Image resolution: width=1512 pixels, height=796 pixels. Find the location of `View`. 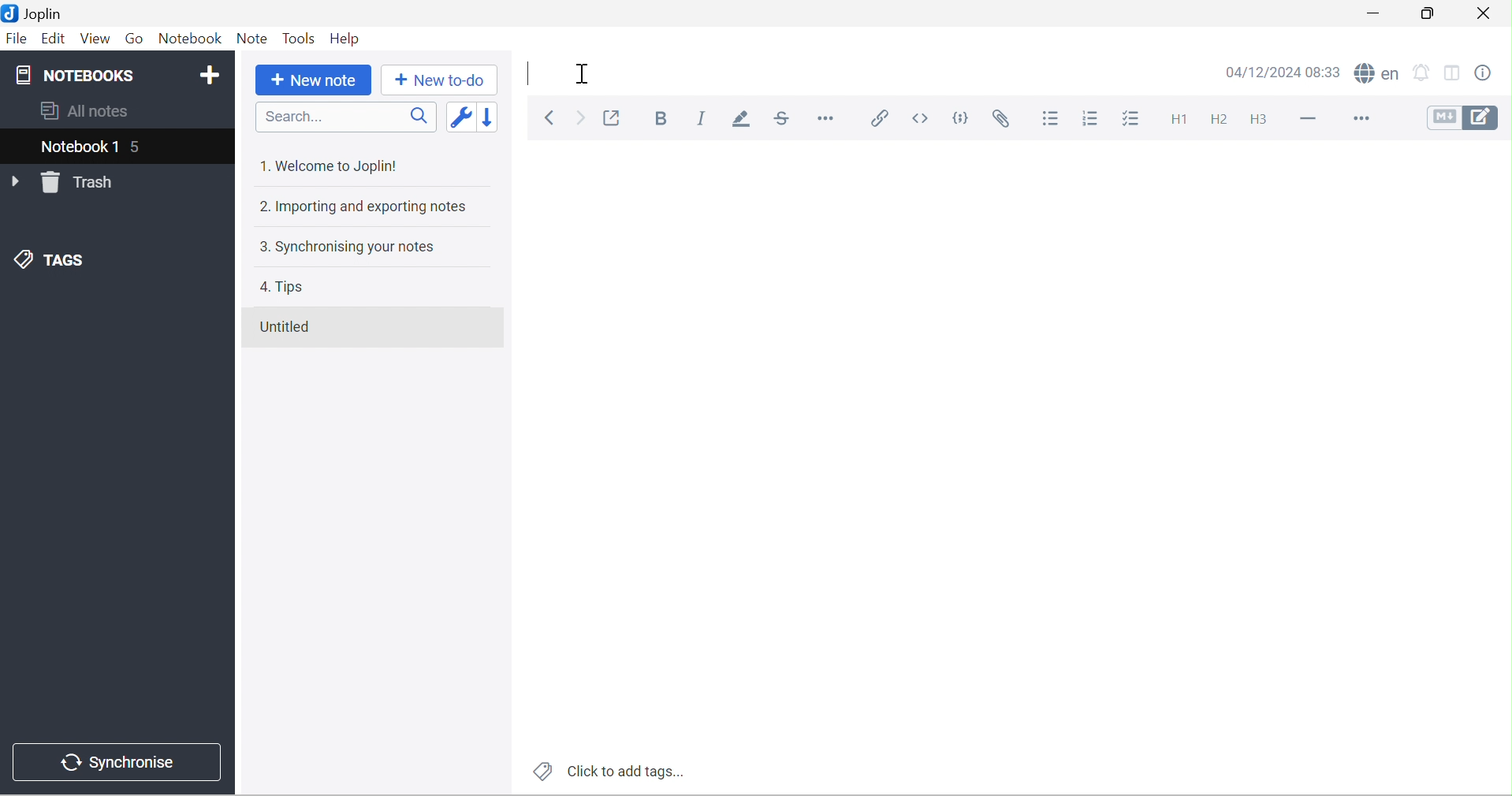

View is located at coordinates (97, 38).